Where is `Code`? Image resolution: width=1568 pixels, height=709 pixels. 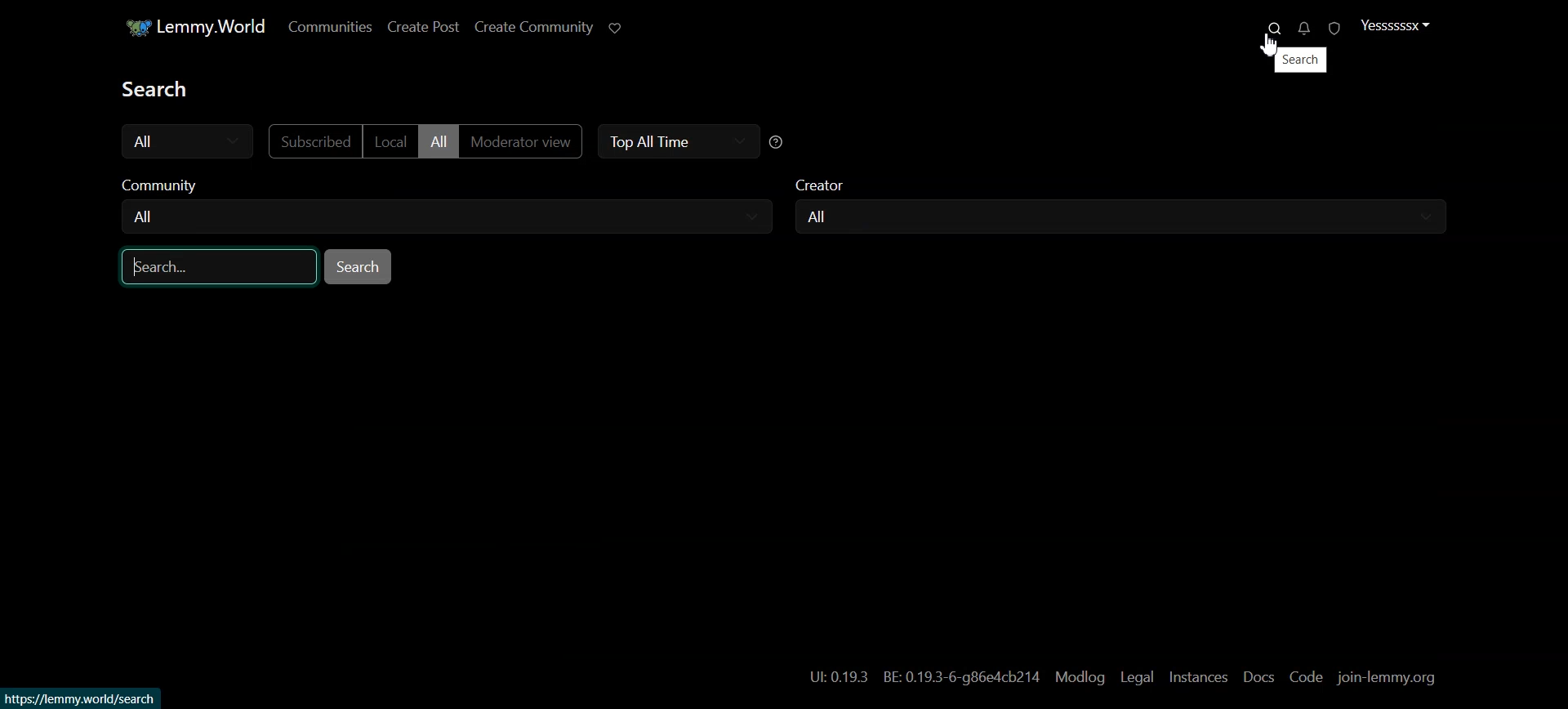
Code is located at coordinates (1304, 677).